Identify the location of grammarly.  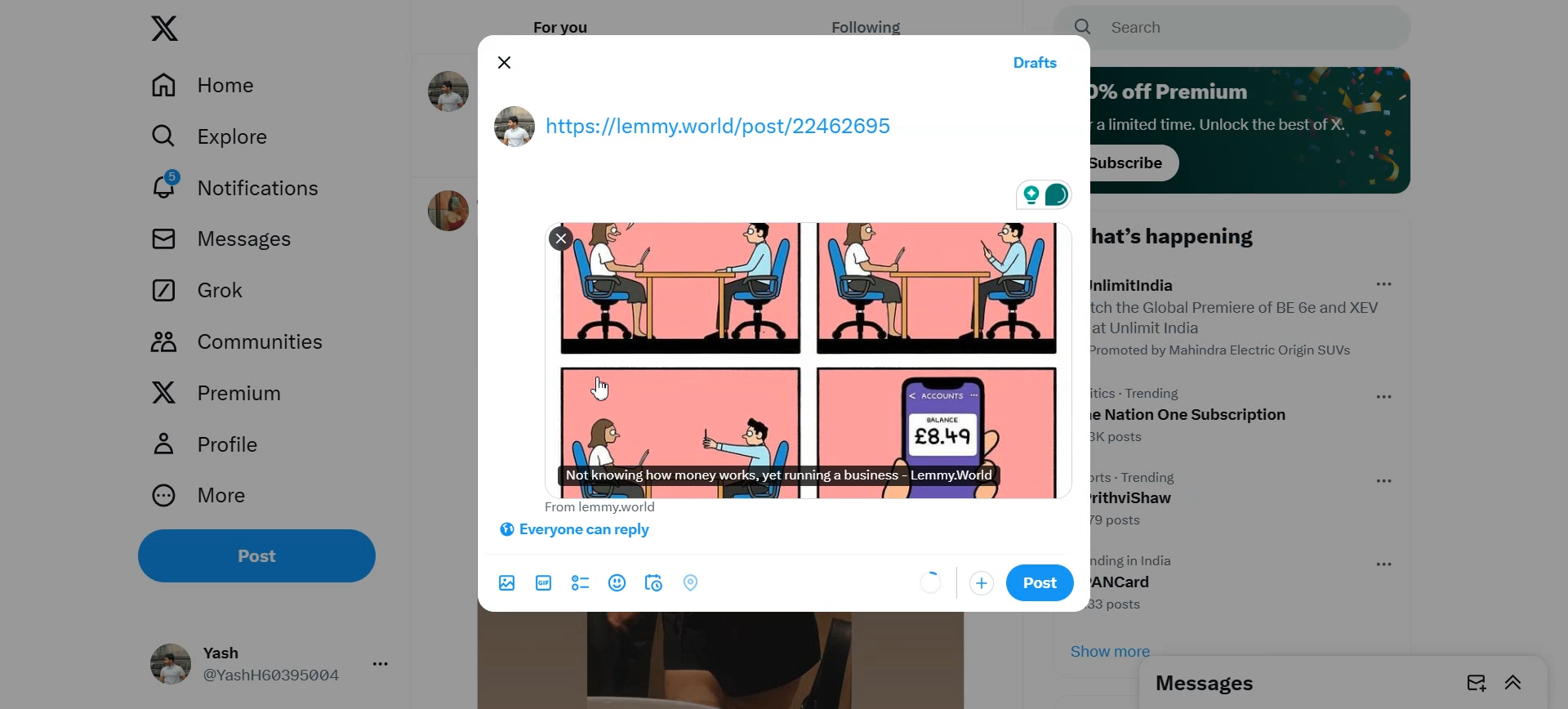
(1042, 193).